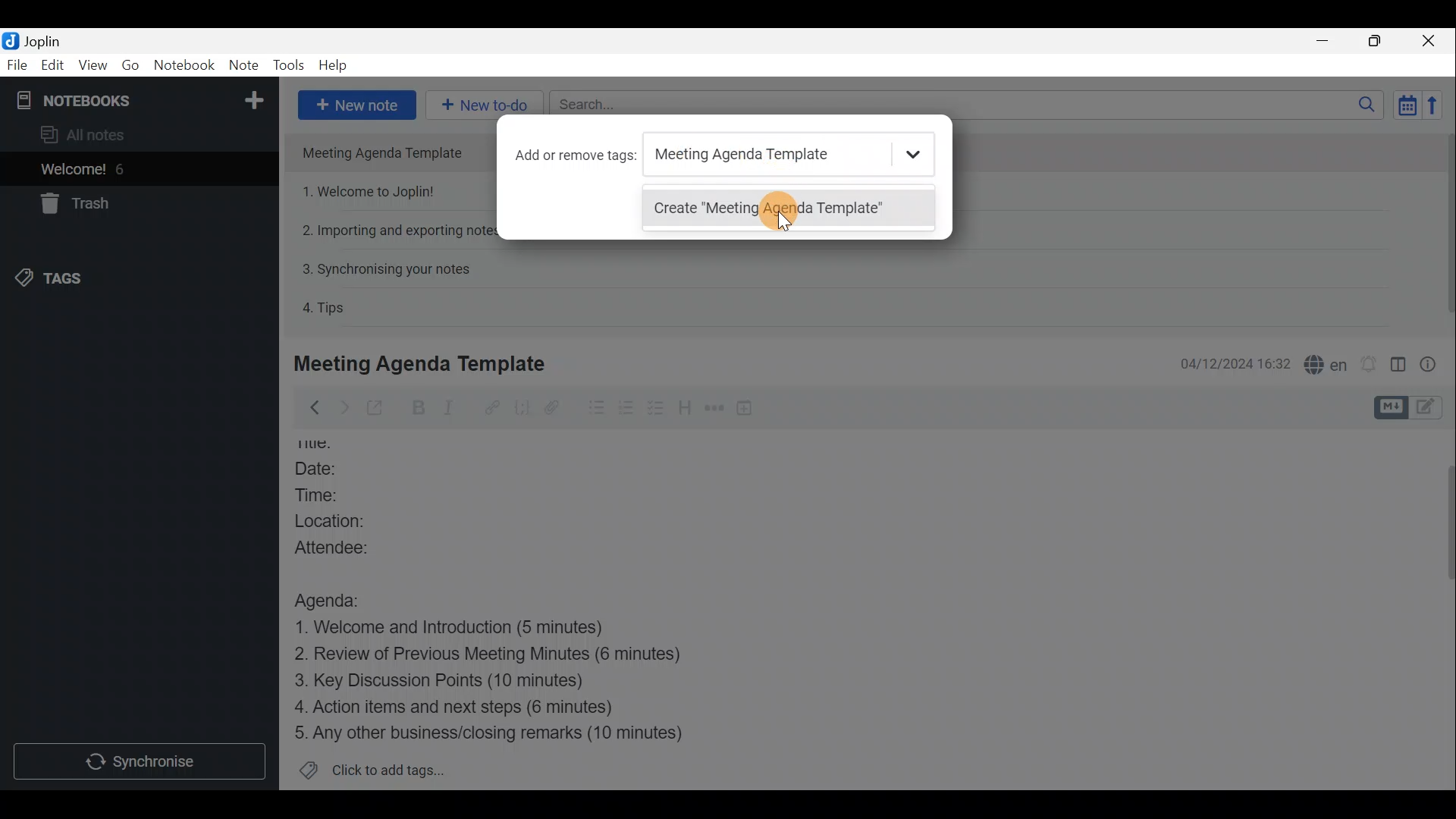  What do you see at coordinates (17, 64) in the screenshot?
I see `File` at bounding box center [17, 64].